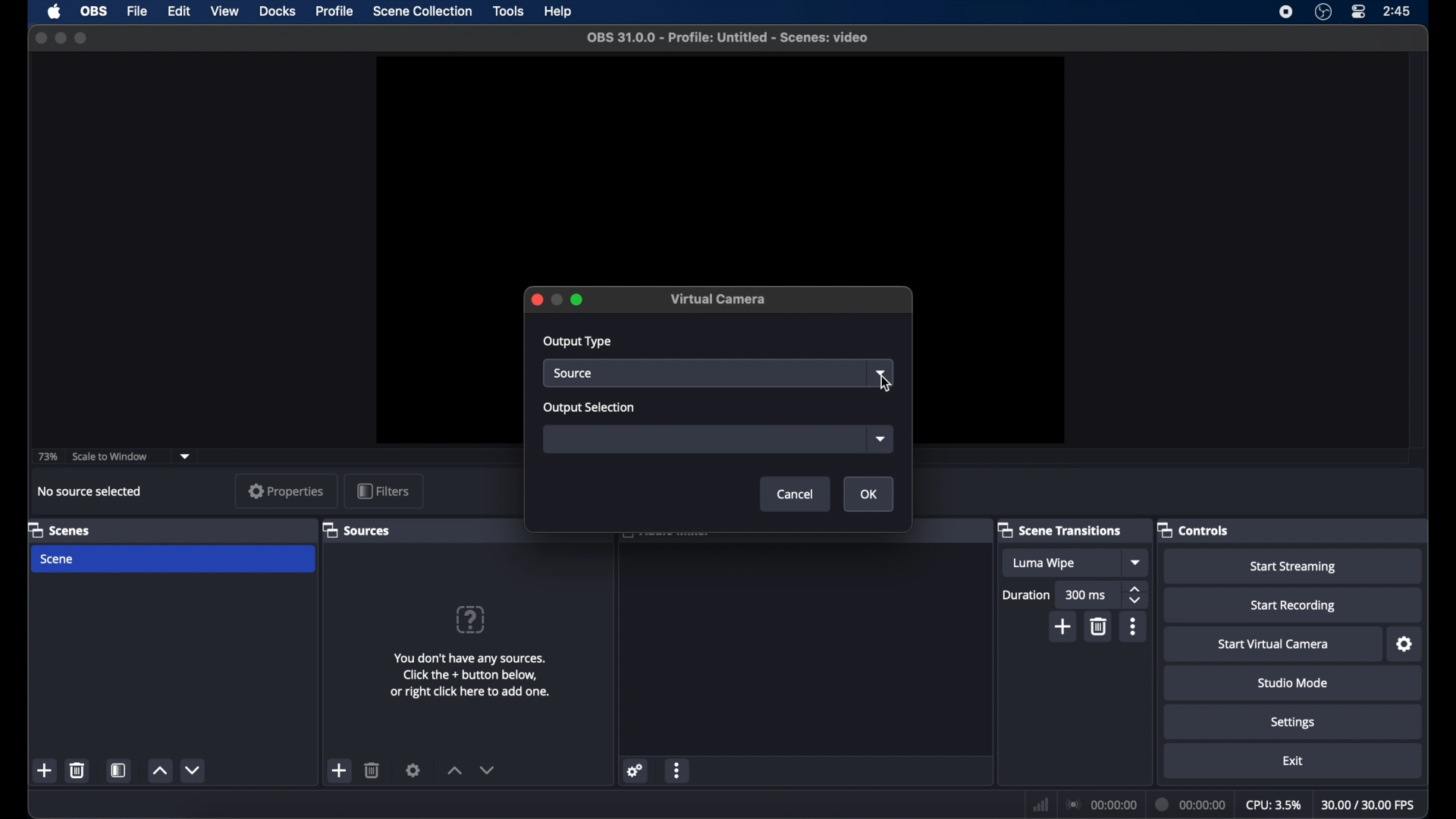 The image size is (1456, 819). What do you see at coordinates (534, 300) in the screenshot?
I see `close` at bounding box center [534, 300].